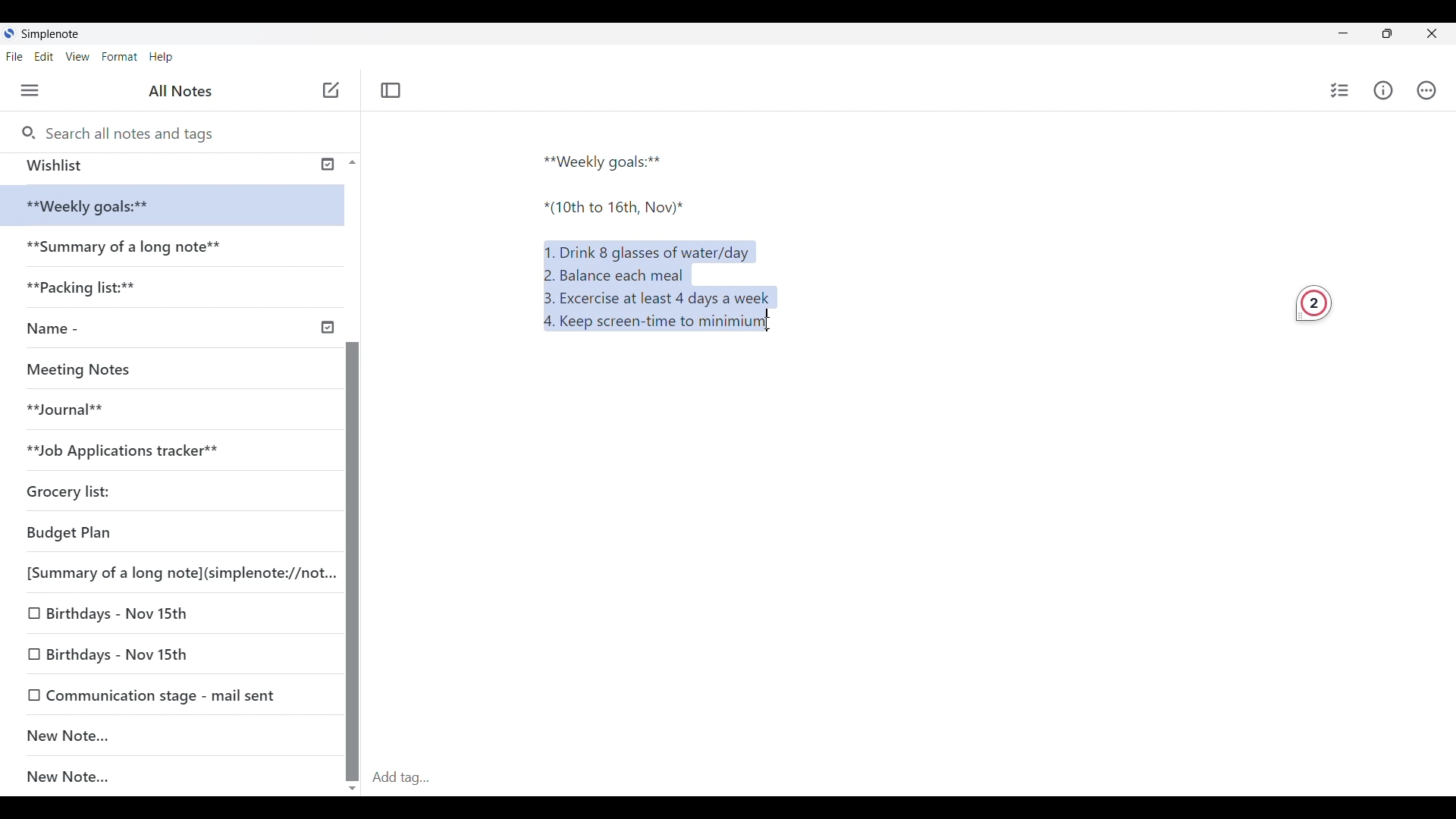  What do you see at coordinates (609, 159) in the screenshot?
I see `**Weekly goals:**` at bounding box center [609, 159].